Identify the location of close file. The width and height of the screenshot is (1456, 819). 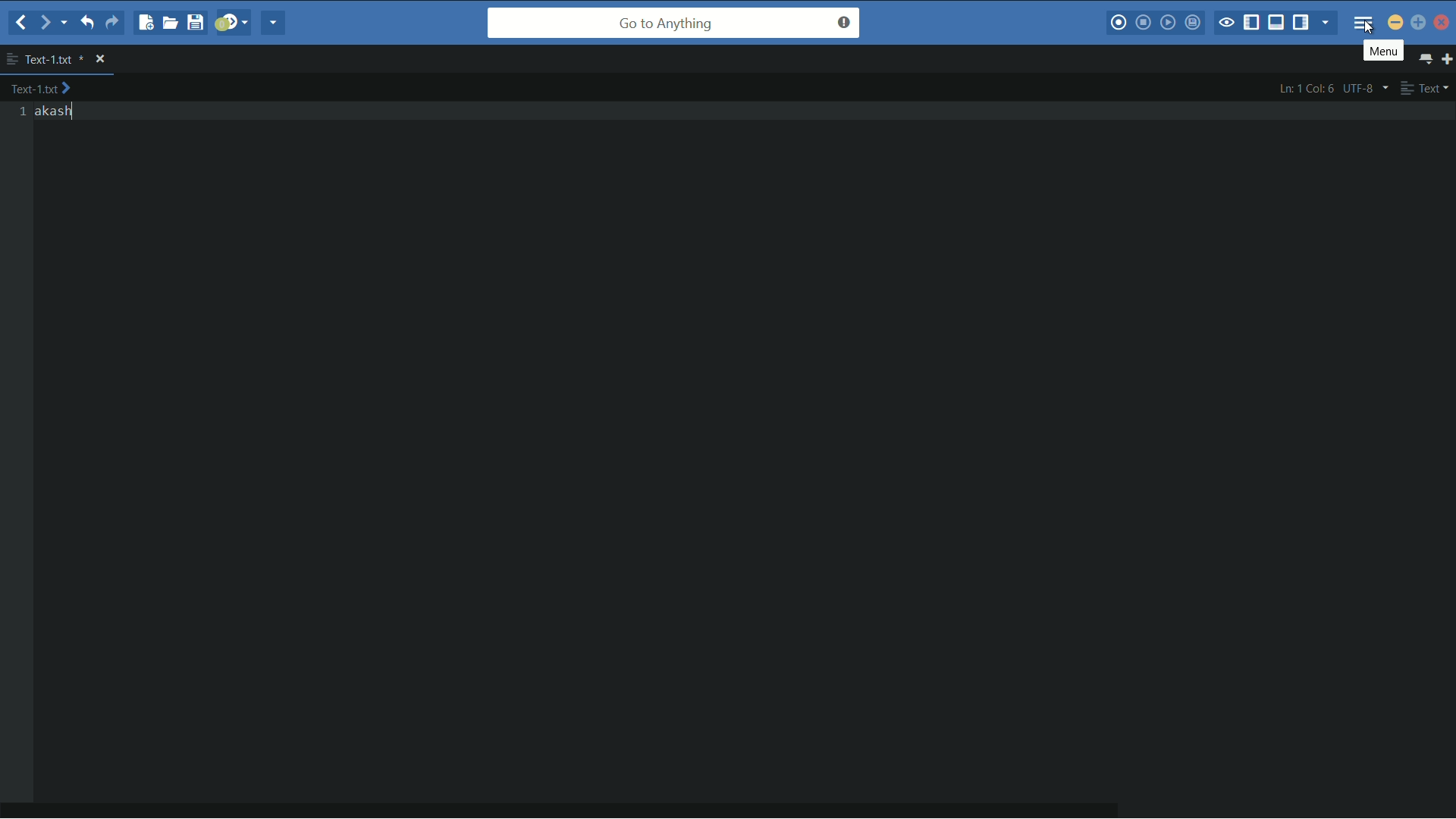
(102, 60).